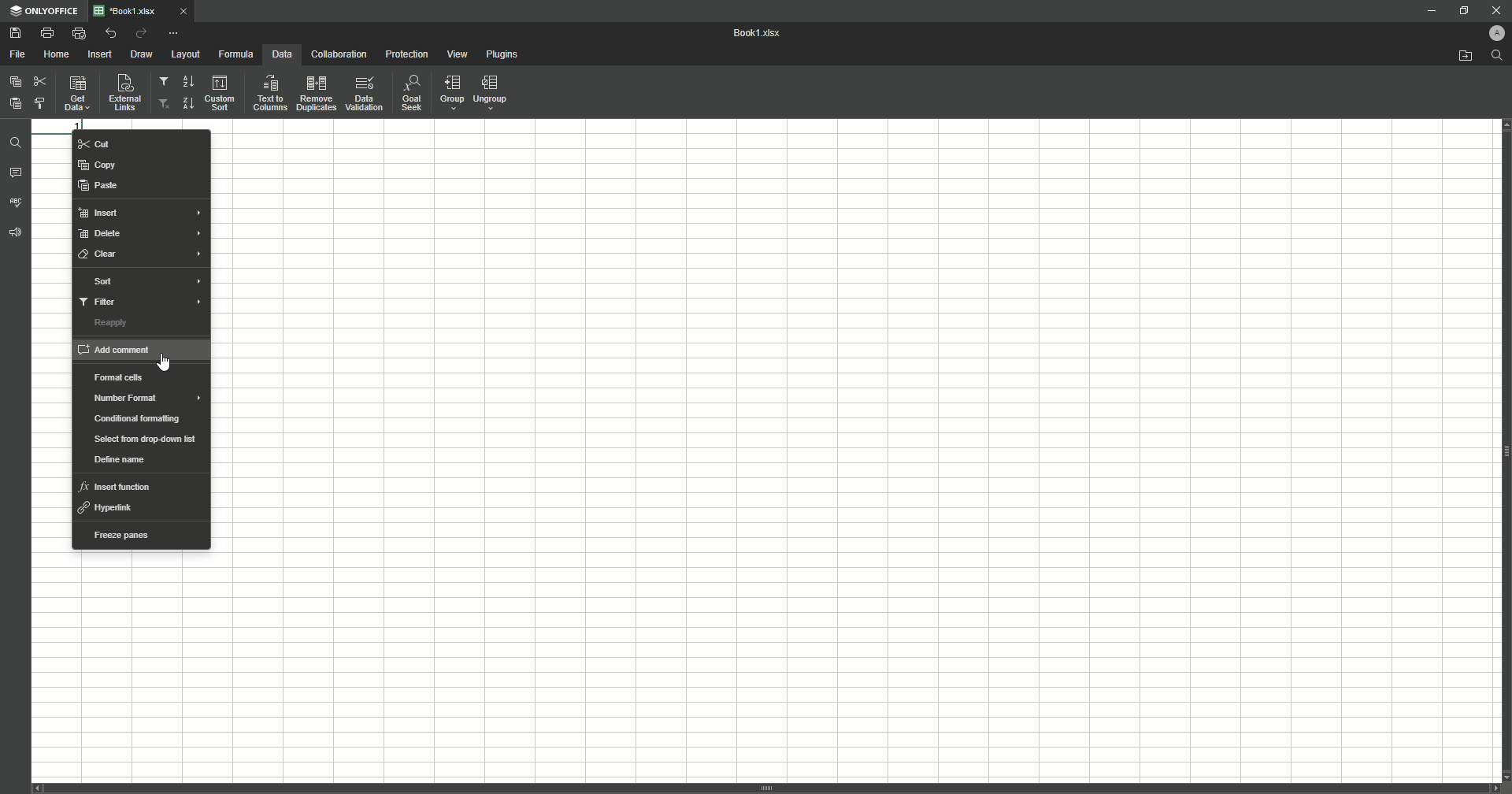  What do you see at coordinates (109, 507) in the screenshot?
I see `Hyperlink` at bounding box center [109, 507].